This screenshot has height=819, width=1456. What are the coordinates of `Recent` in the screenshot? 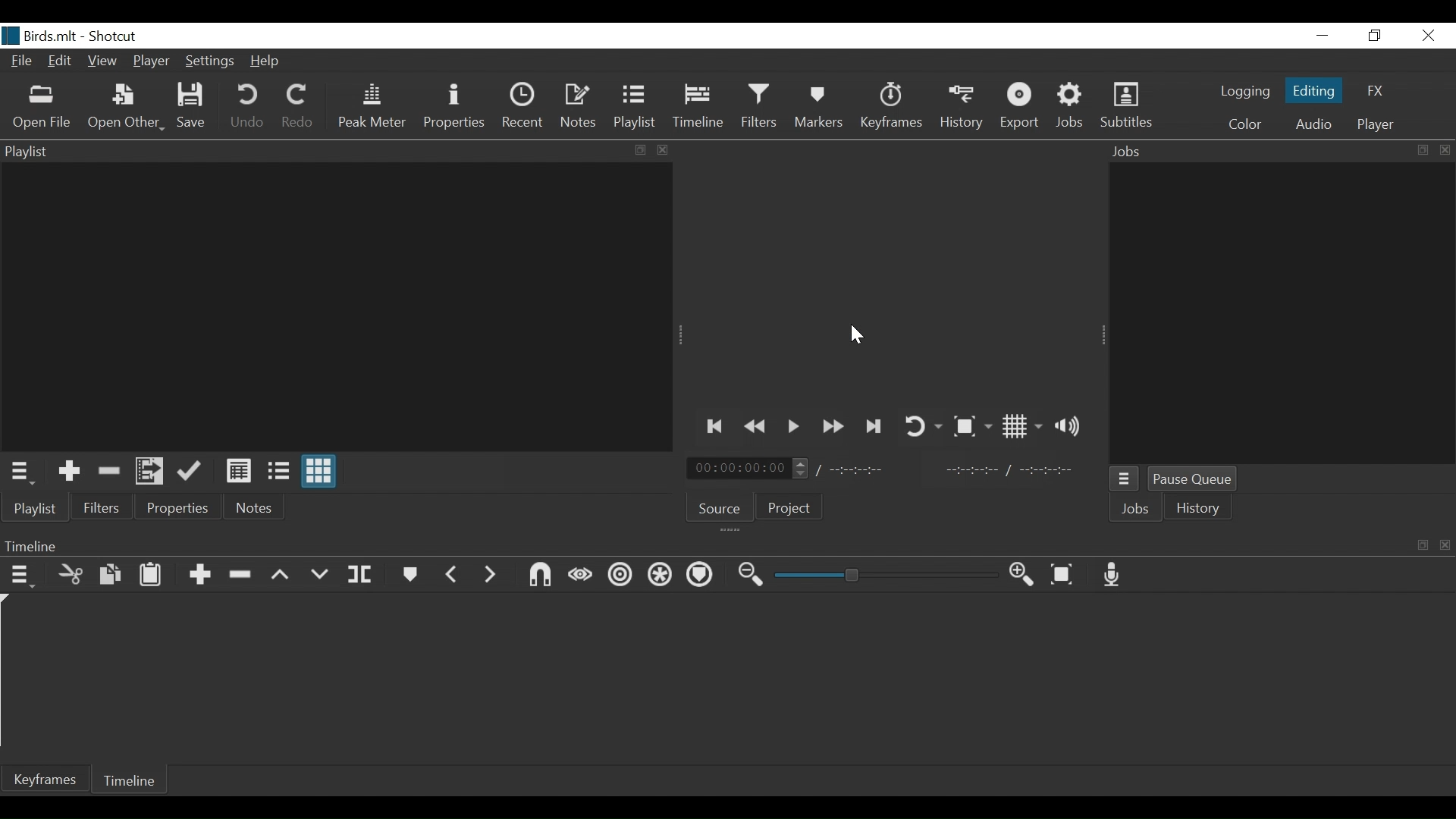 It's located at (522, 105).